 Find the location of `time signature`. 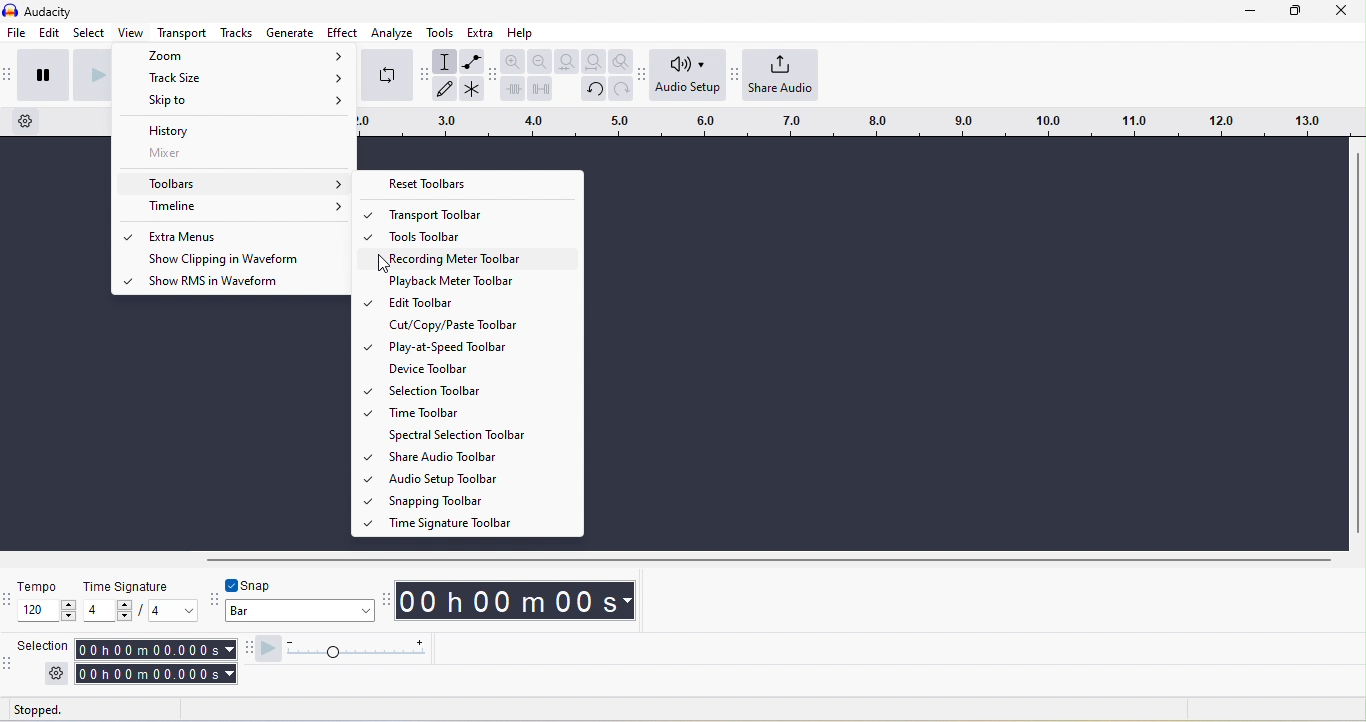

time signature is located at coordinates (128, 587).